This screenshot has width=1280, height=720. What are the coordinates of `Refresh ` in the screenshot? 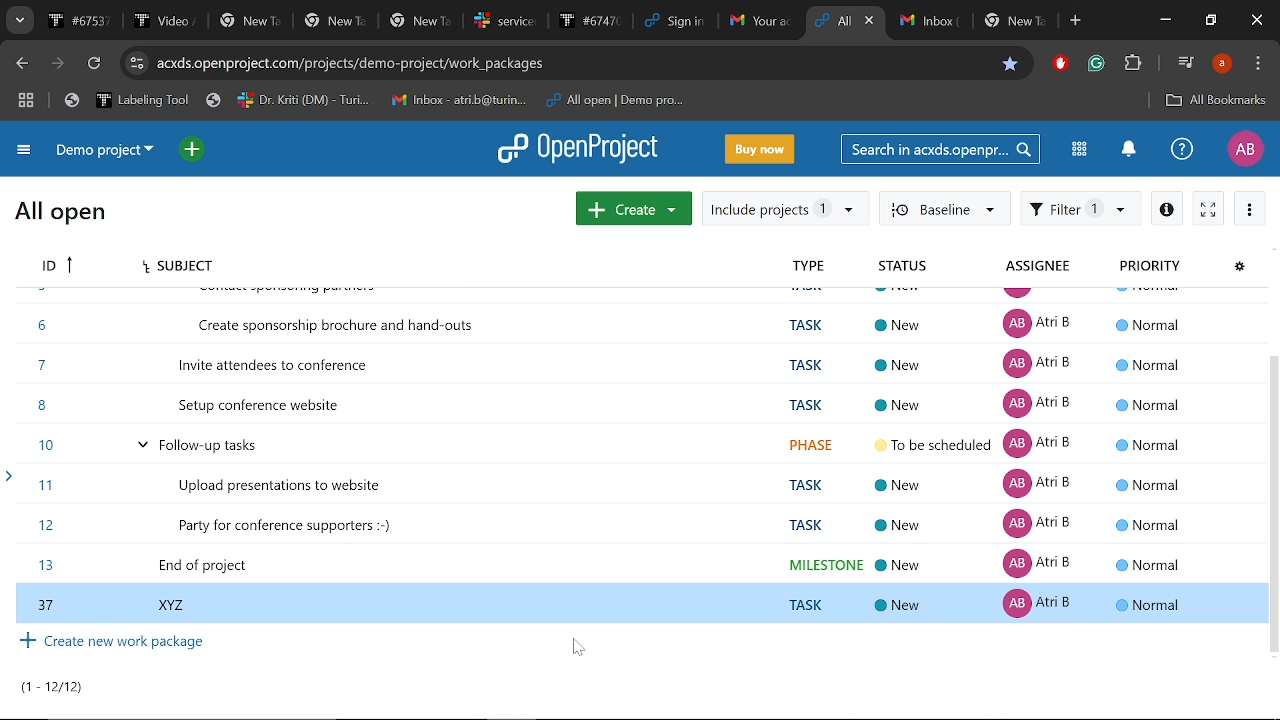 It's located at (96, 64).